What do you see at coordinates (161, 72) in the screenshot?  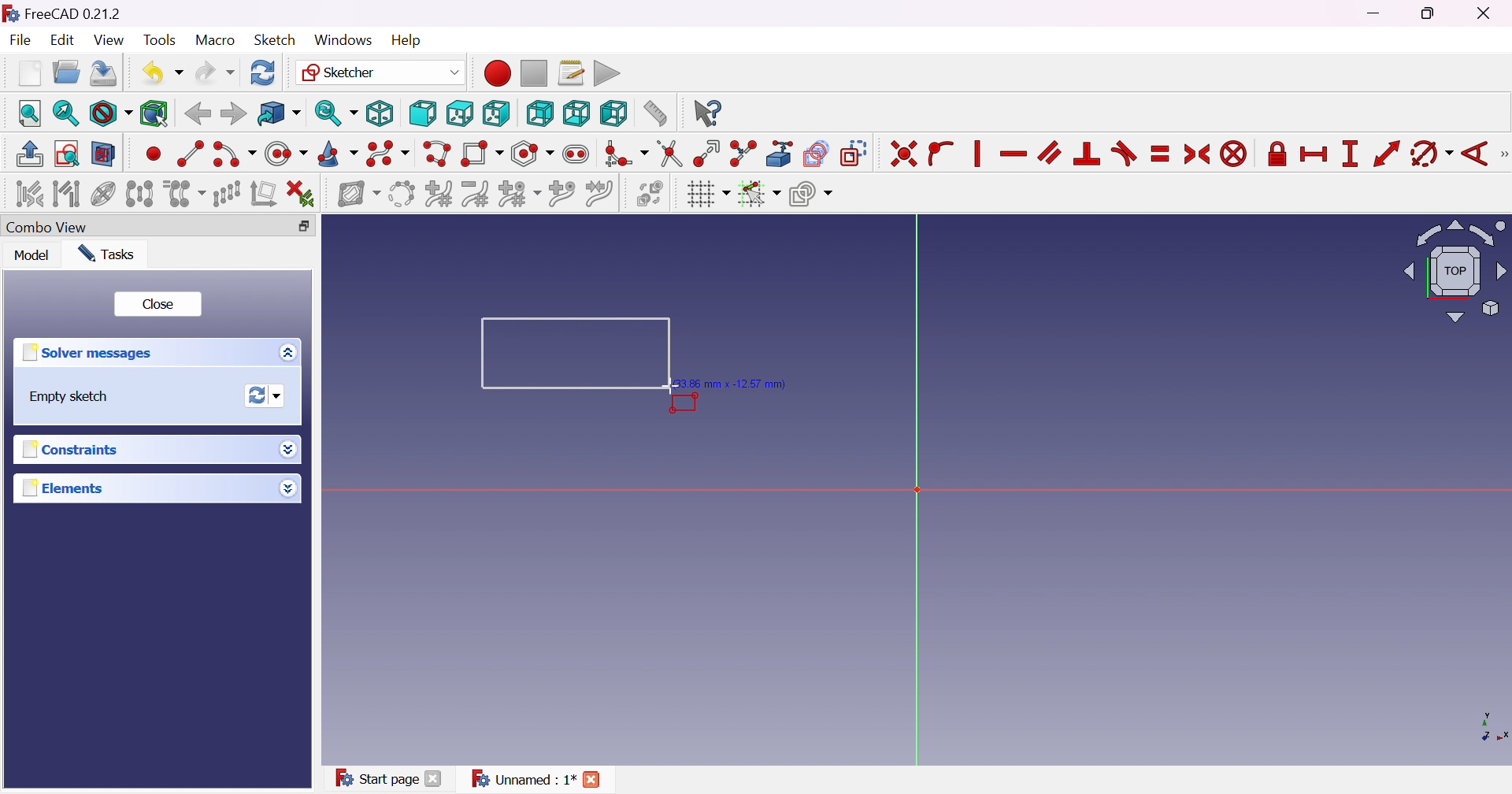 I see `Undo` at bounding box center [161, 72].